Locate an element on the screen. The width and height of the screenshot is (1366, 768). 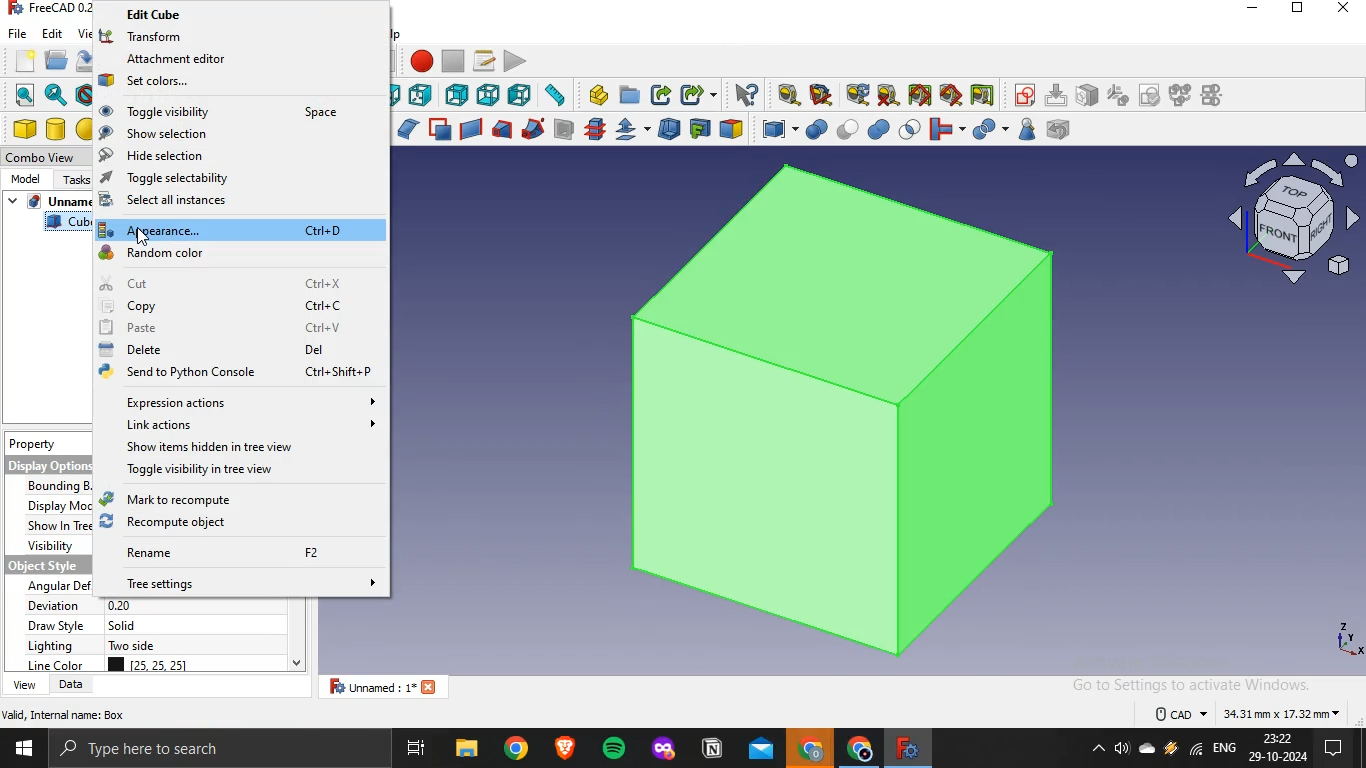
macros is located at coordinates (484, 60).